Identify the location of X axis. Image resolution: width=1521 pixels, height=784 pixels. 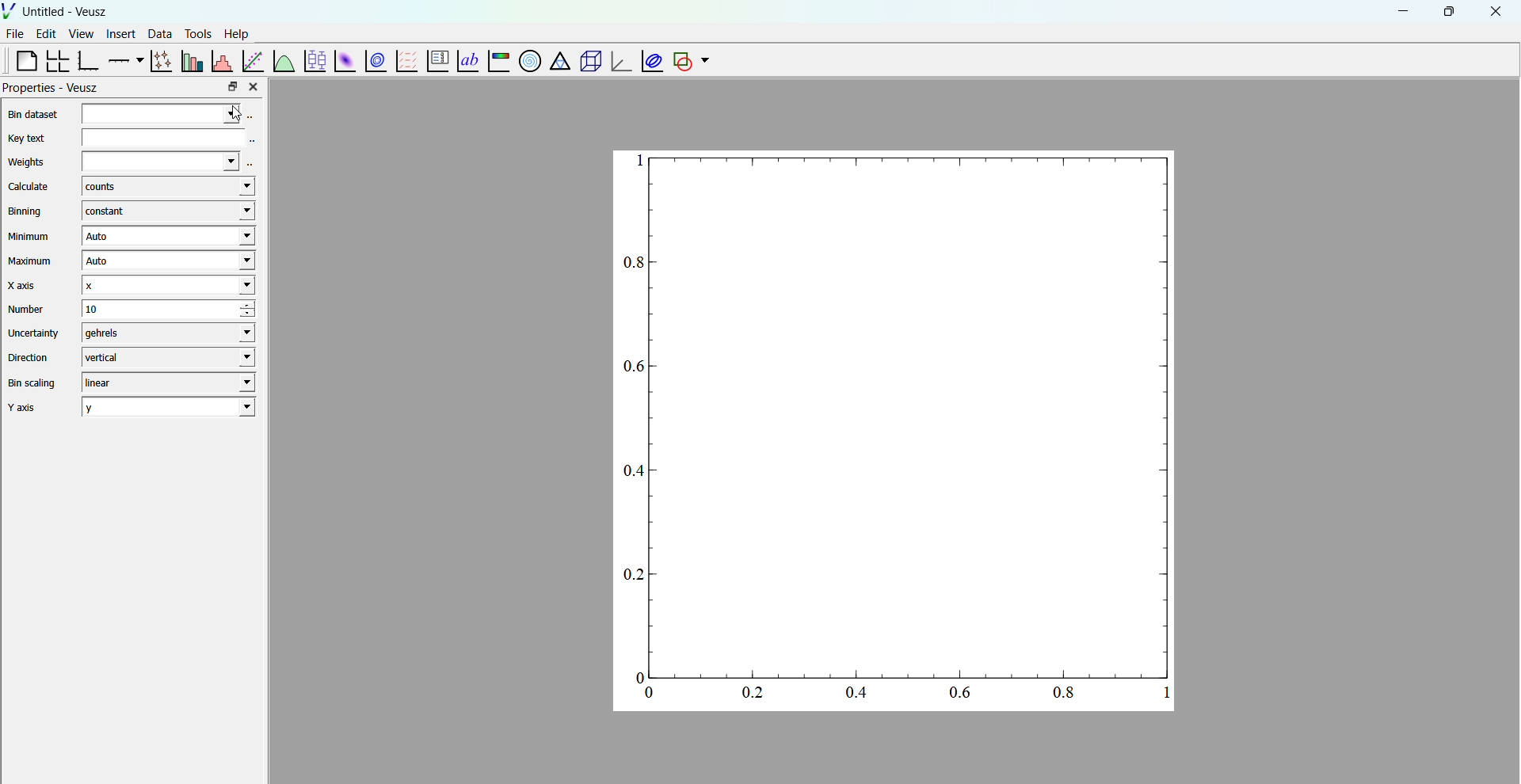
(26, 285).